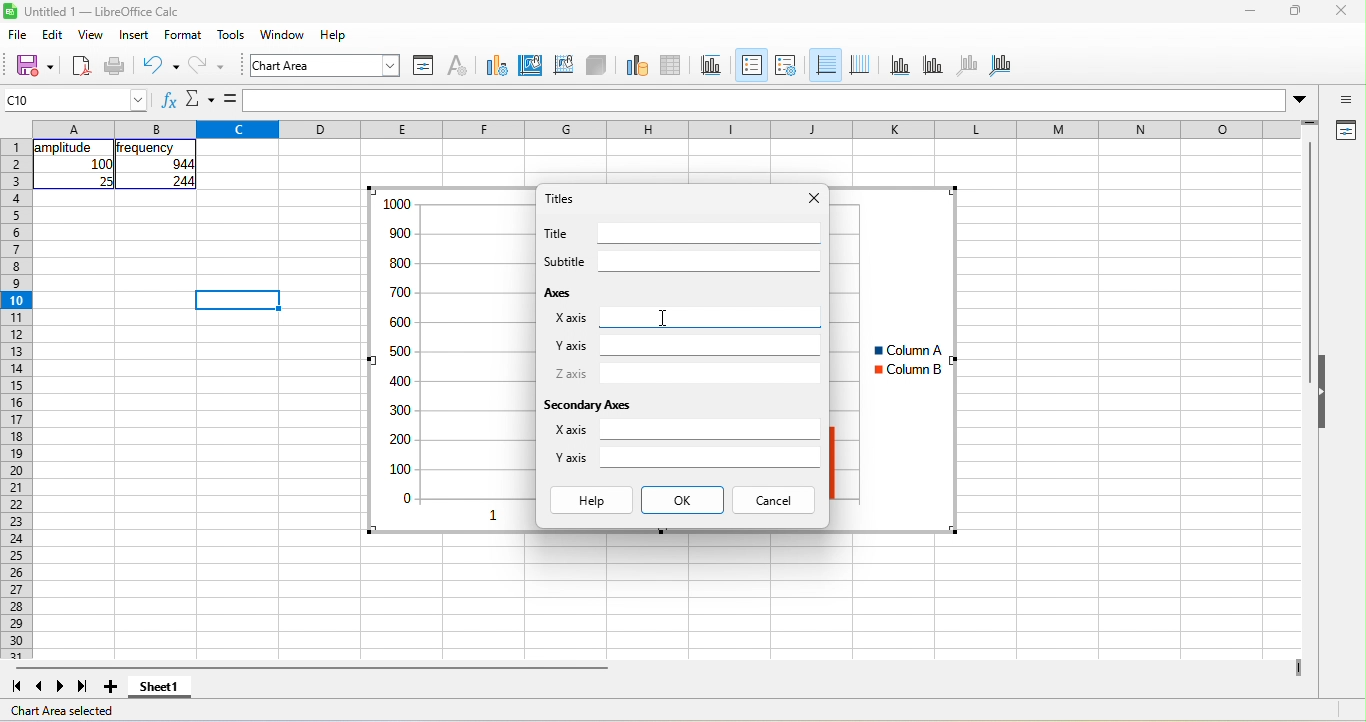  What do you see at coordinates (16, 399) in the screenshot?
I see `rows` at bounding box center [16, 399].